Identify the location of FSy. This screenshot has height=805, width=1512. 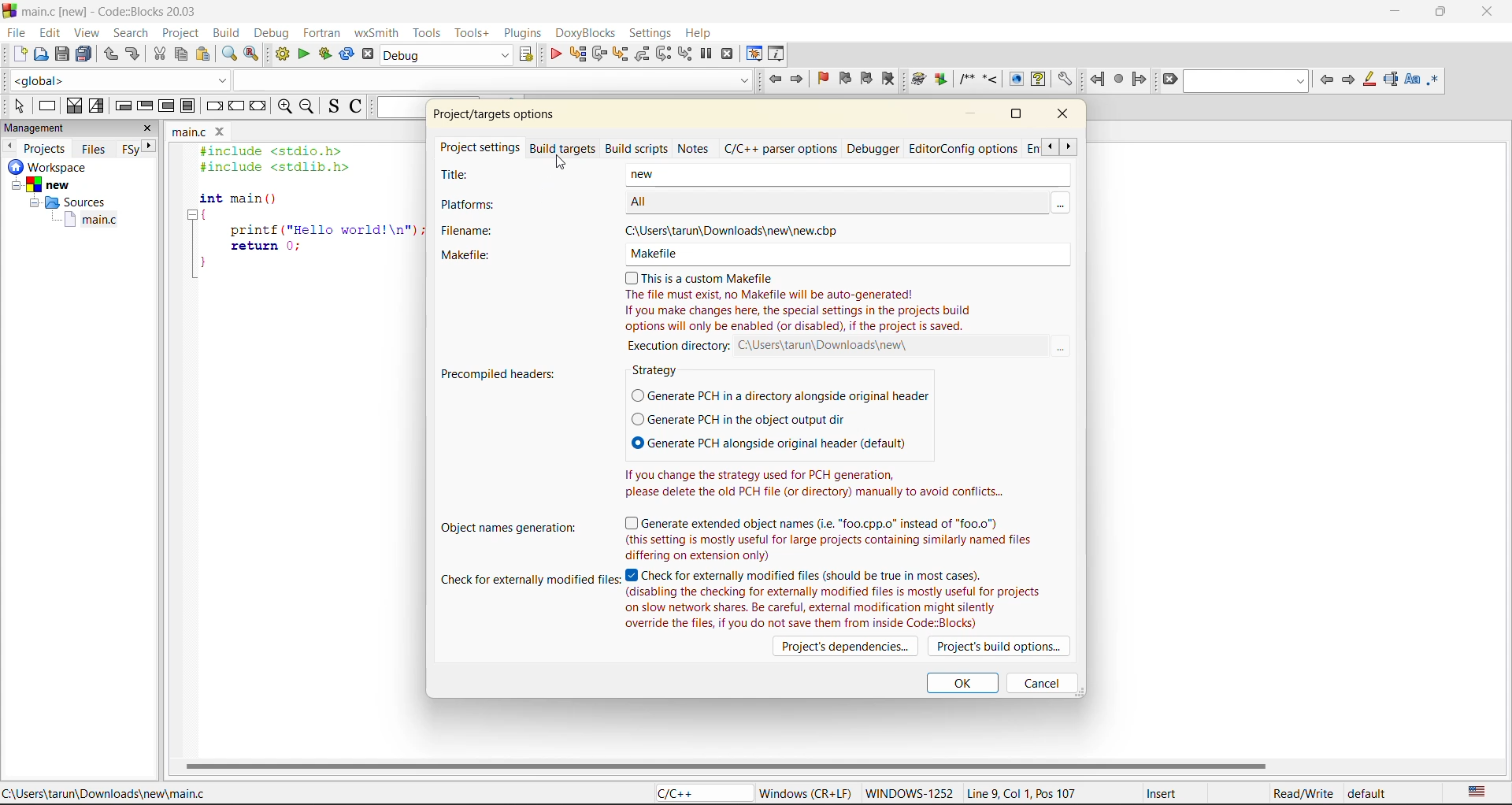
(130, 150).